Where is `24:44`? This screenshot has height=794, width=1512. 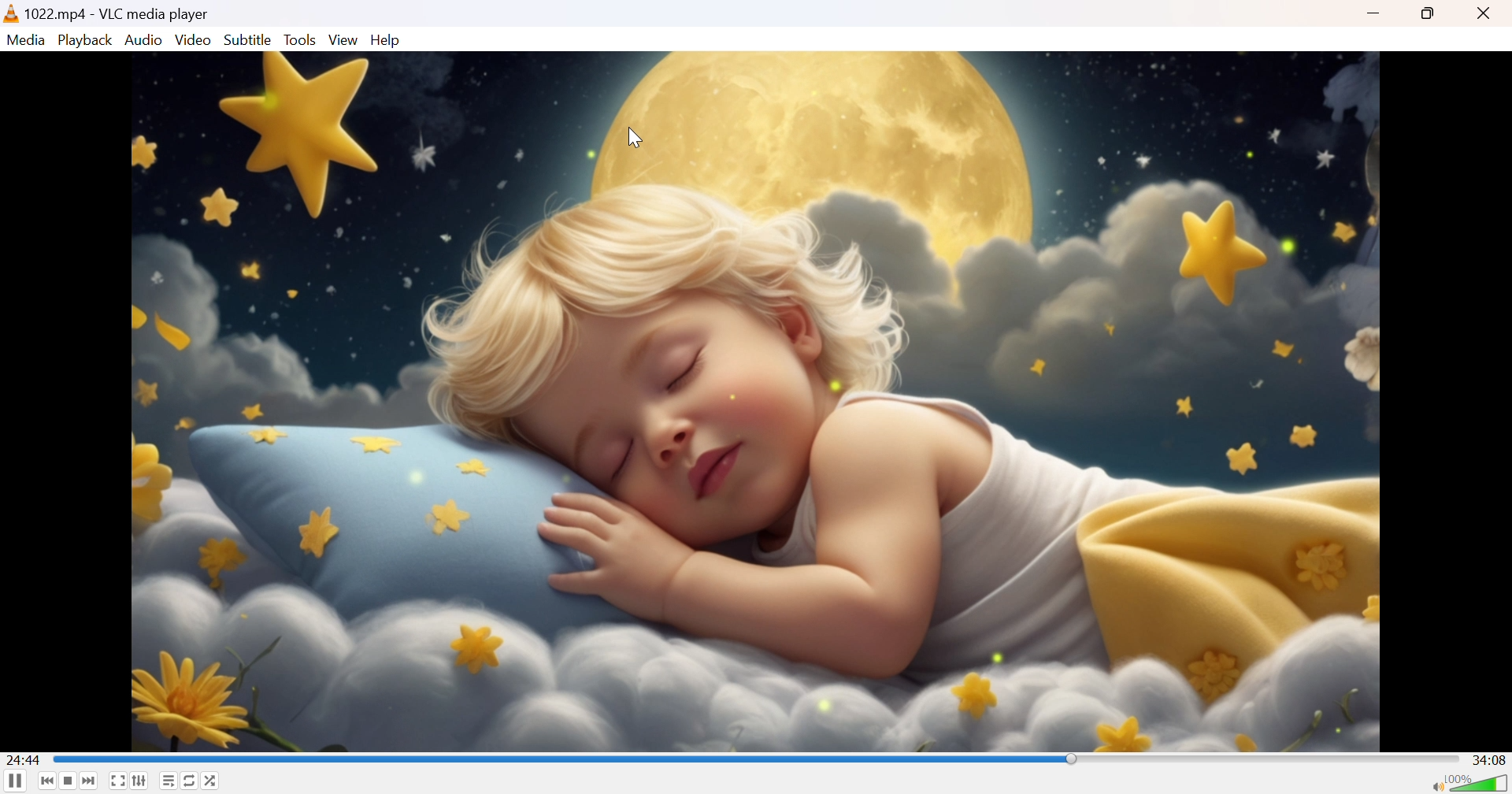
24:44 is located at coordinates (23, 760).